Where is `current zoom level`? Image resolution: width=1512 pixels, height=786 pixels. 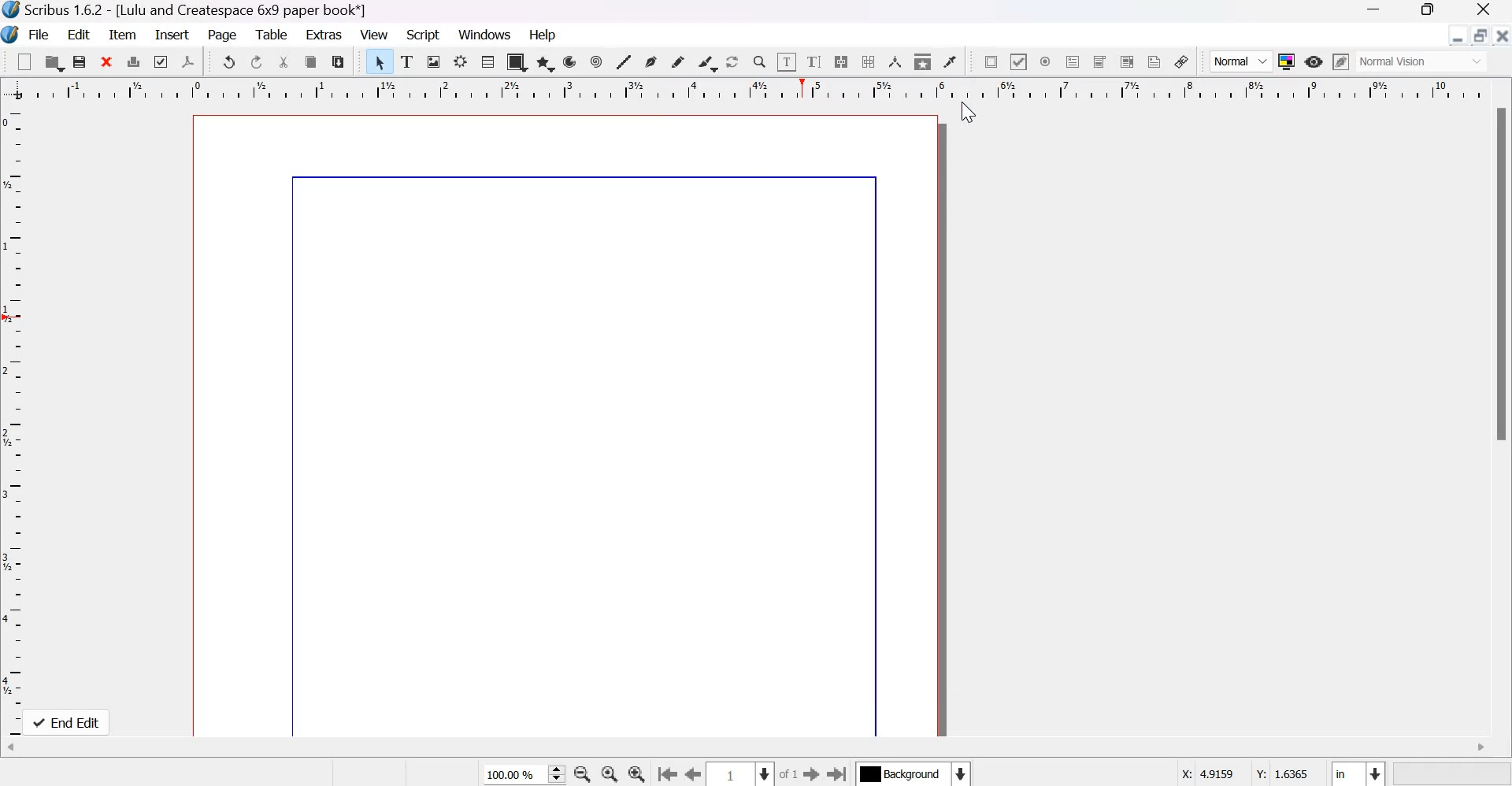
current zoom level is located at coordinates (519, 775).